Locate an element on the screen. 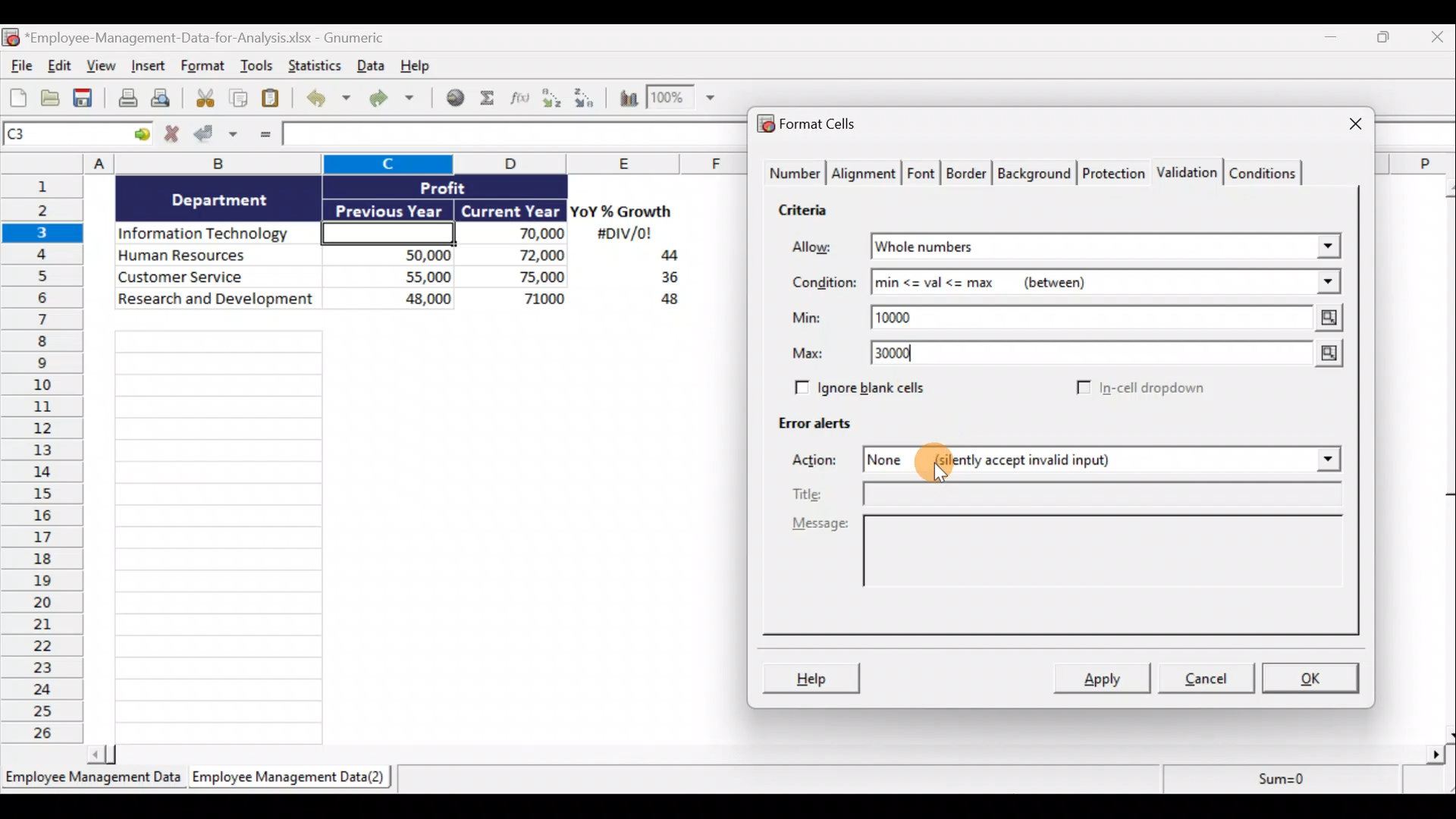  *Employee-Management-Data-for-Analysis.xlsx - Gnumeric is located at coordinates (222, 36).